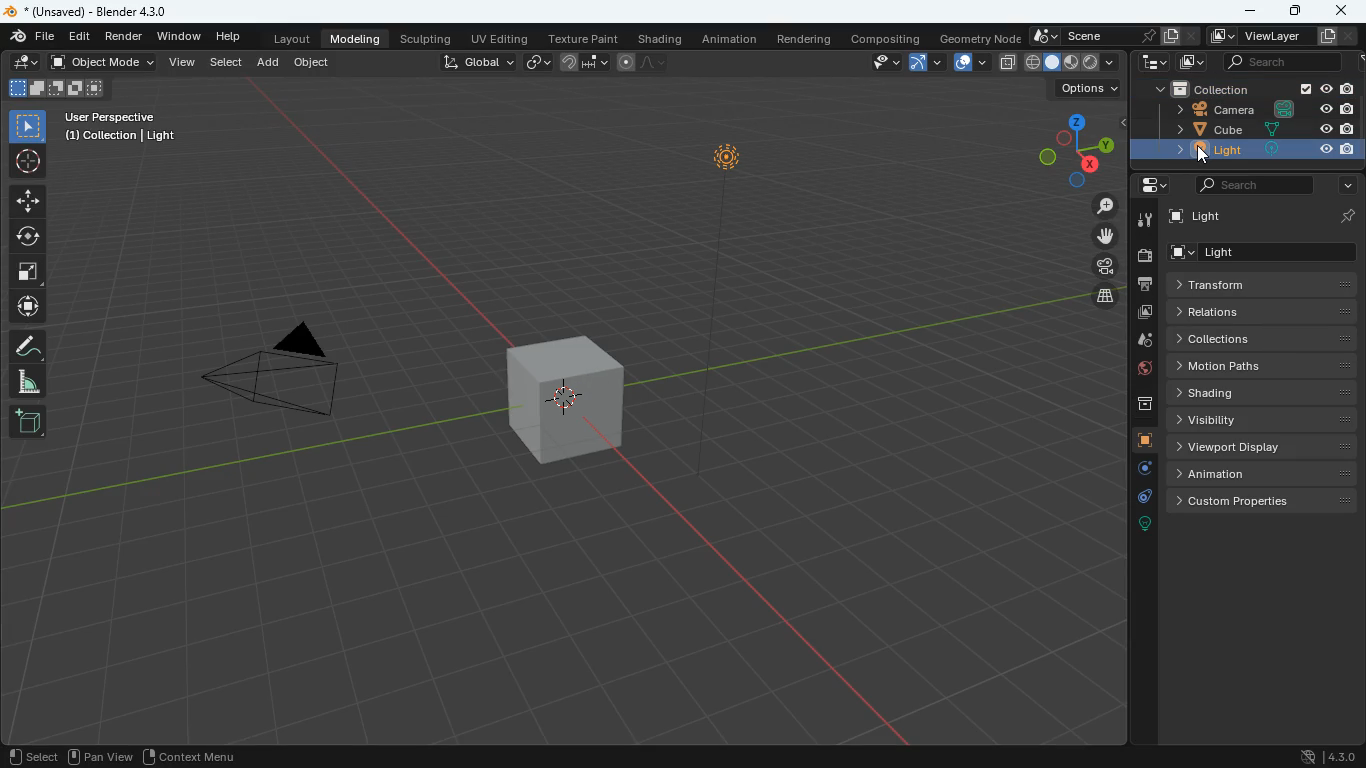 Image resolution: width=1366 pixels, height=768 pixels. What do you see at coordinates (26, 309) in the screenshot?
I see `aim` at bounding box center [26, 309].